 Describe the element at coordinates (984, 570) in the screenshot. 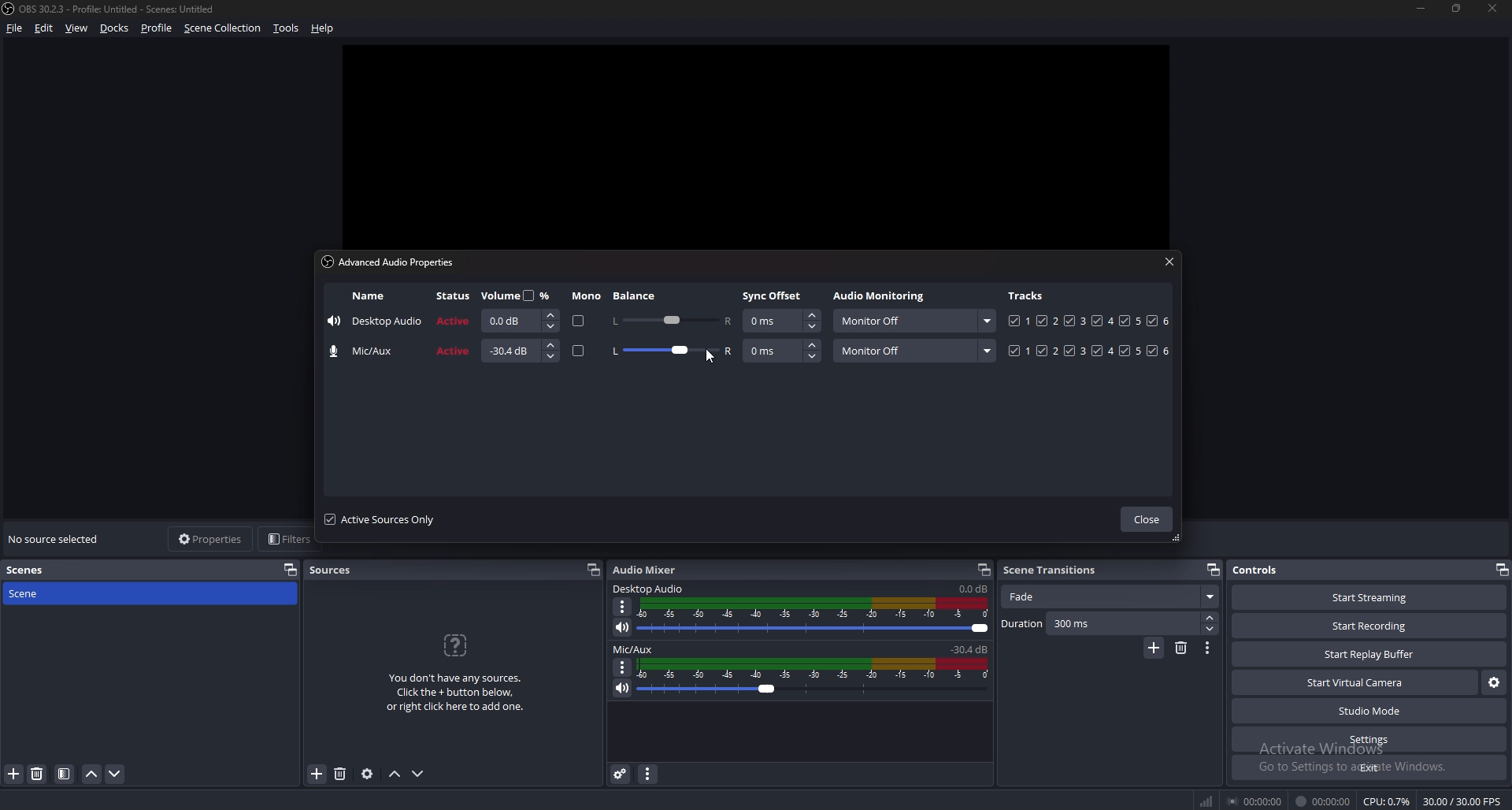

I see `pop out` at that location.